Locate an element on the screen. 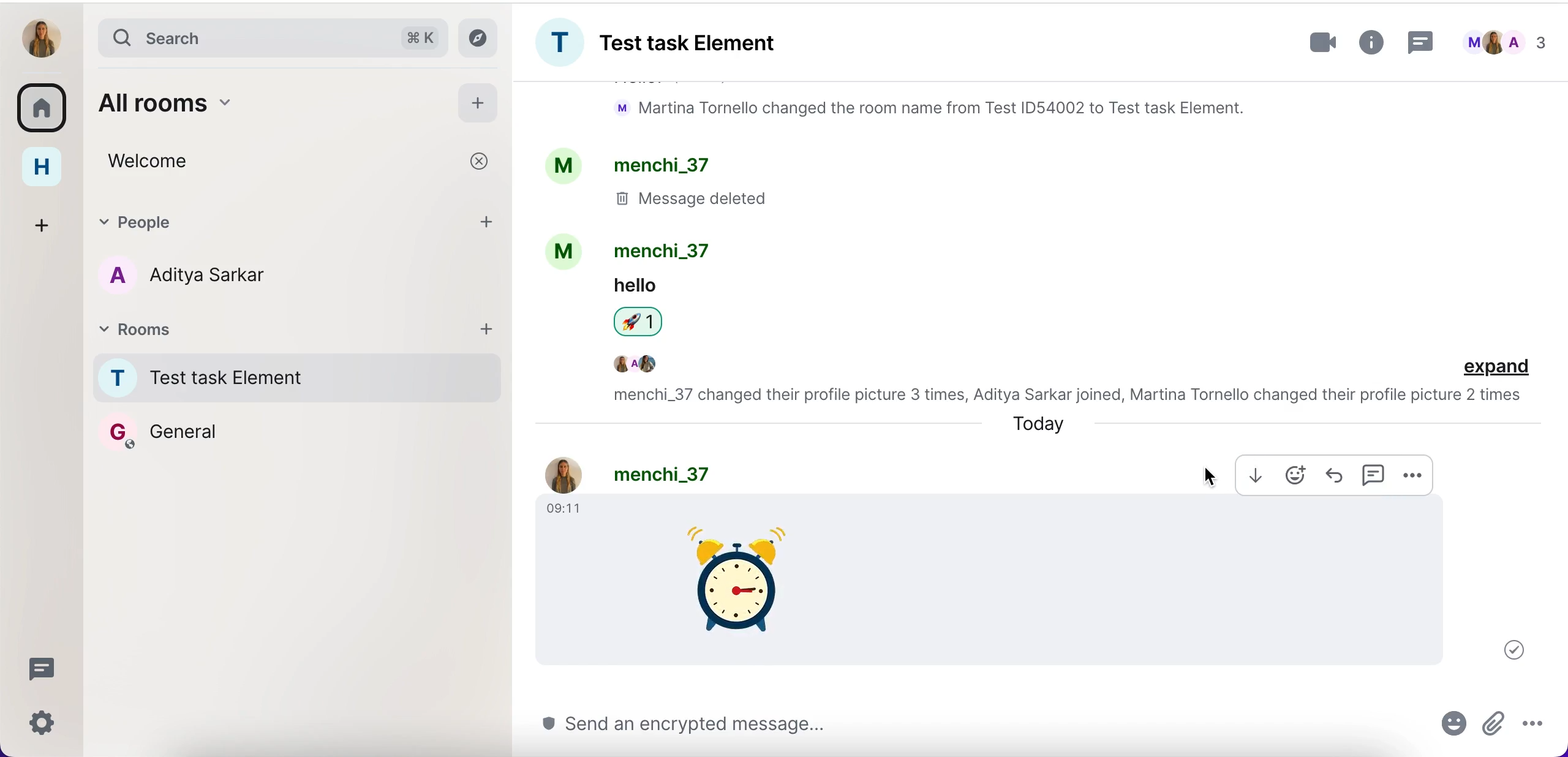 The width and height of the screenshot is (1568, 757). comment is located at coordinates (1373, 475).